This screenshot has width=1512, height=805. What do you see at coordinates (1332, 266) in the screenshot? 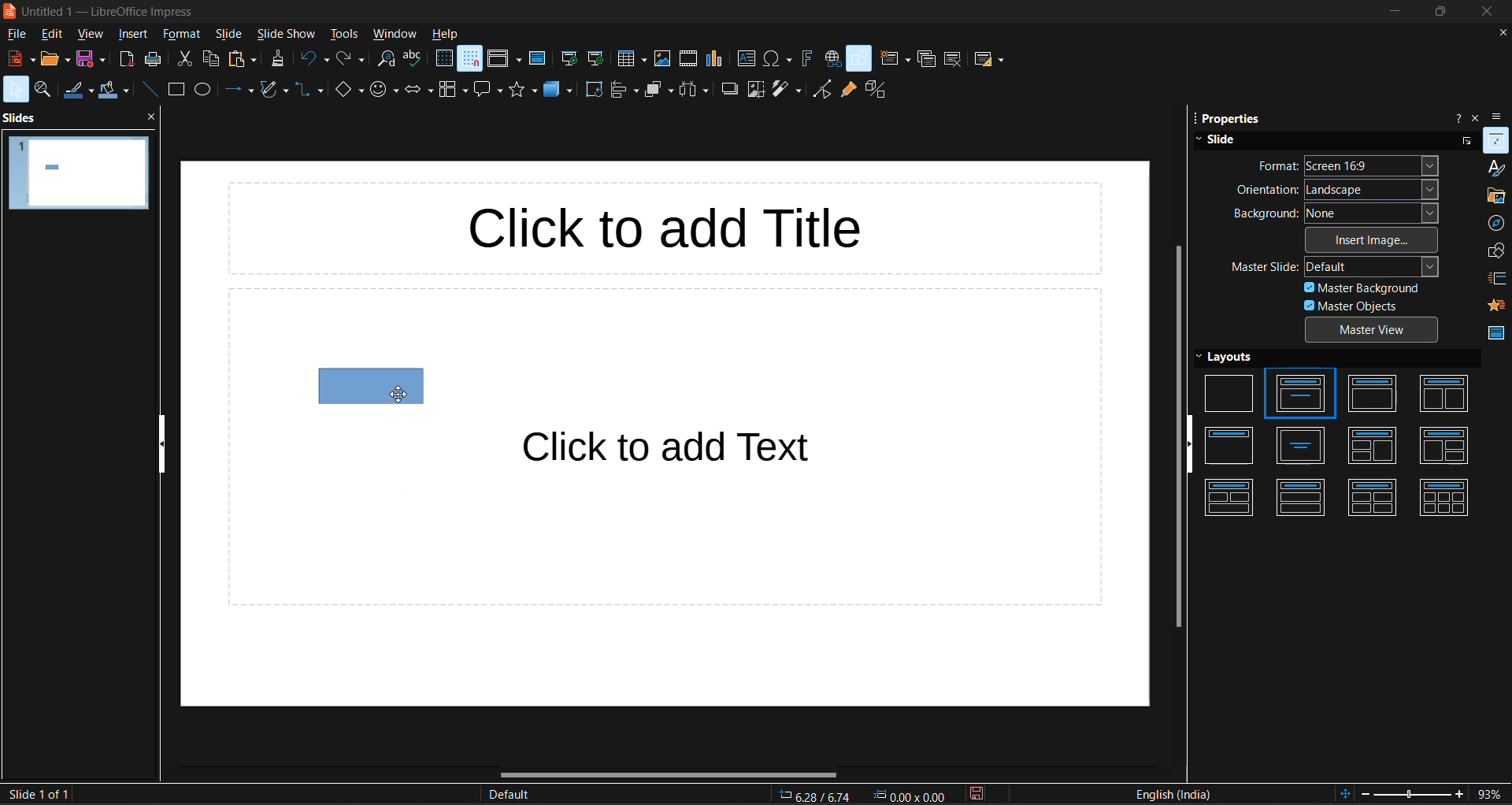
I see `master slide` at bounding box center [1332, 266].